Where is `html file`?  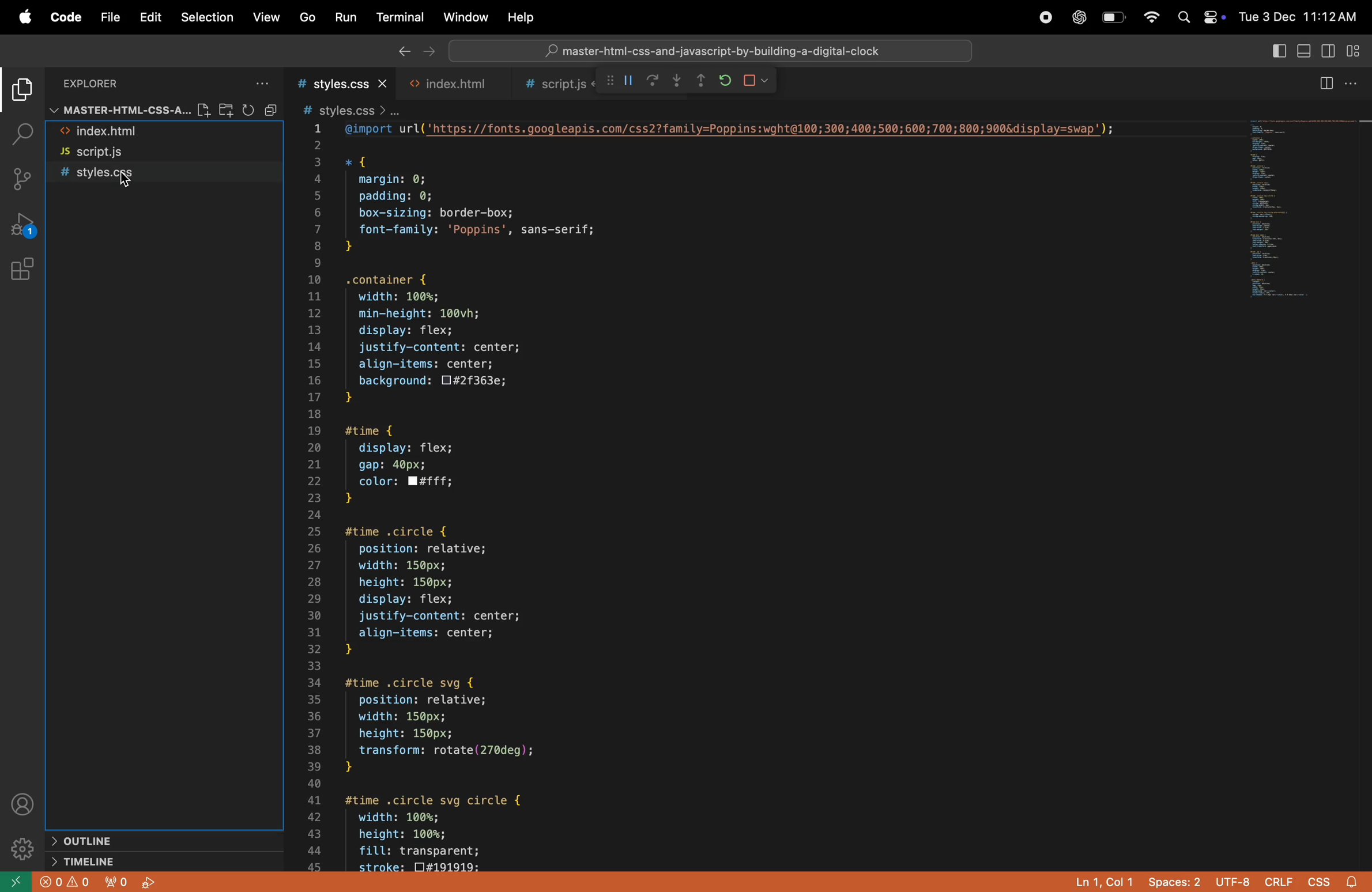
html file is located at coordinates (450, 85).